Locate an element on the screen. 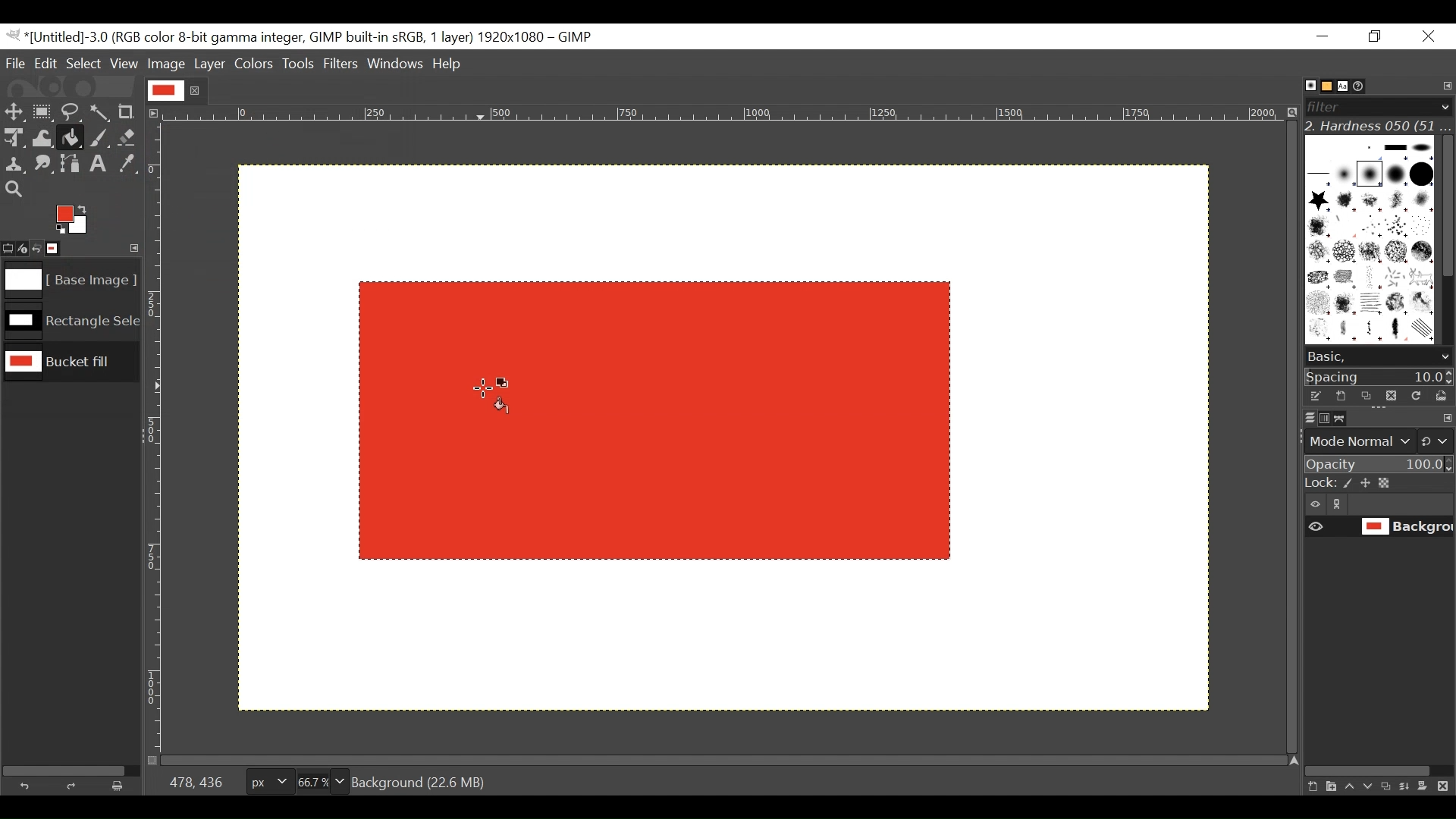 This screenshot has height=819, width=1456. Paintbrush tool is located at coordinates (99, 140).